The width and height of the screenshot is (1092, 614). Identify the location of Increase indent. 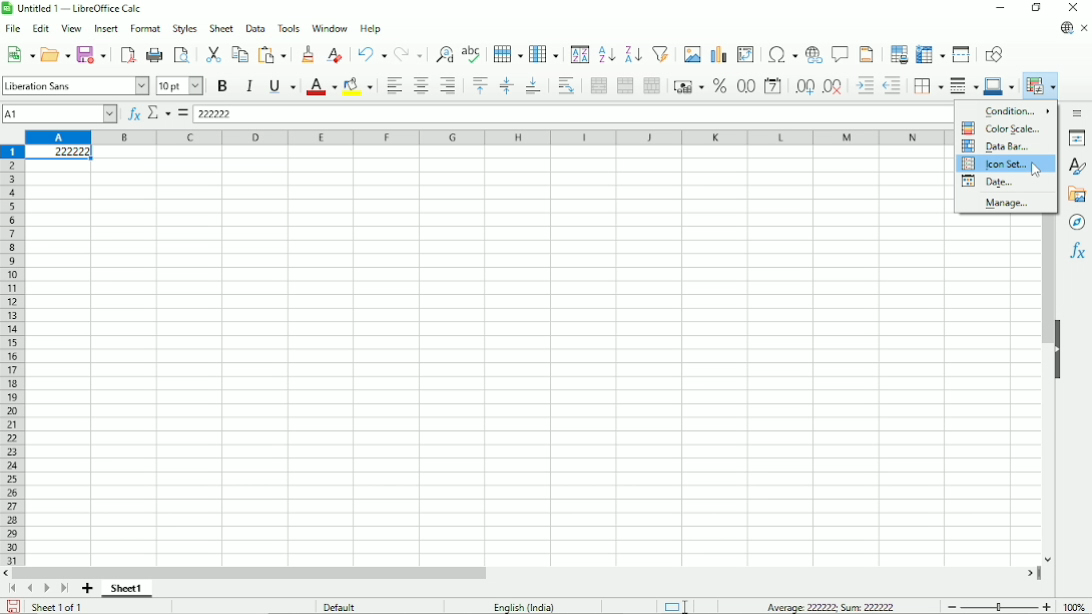
(864, 86).